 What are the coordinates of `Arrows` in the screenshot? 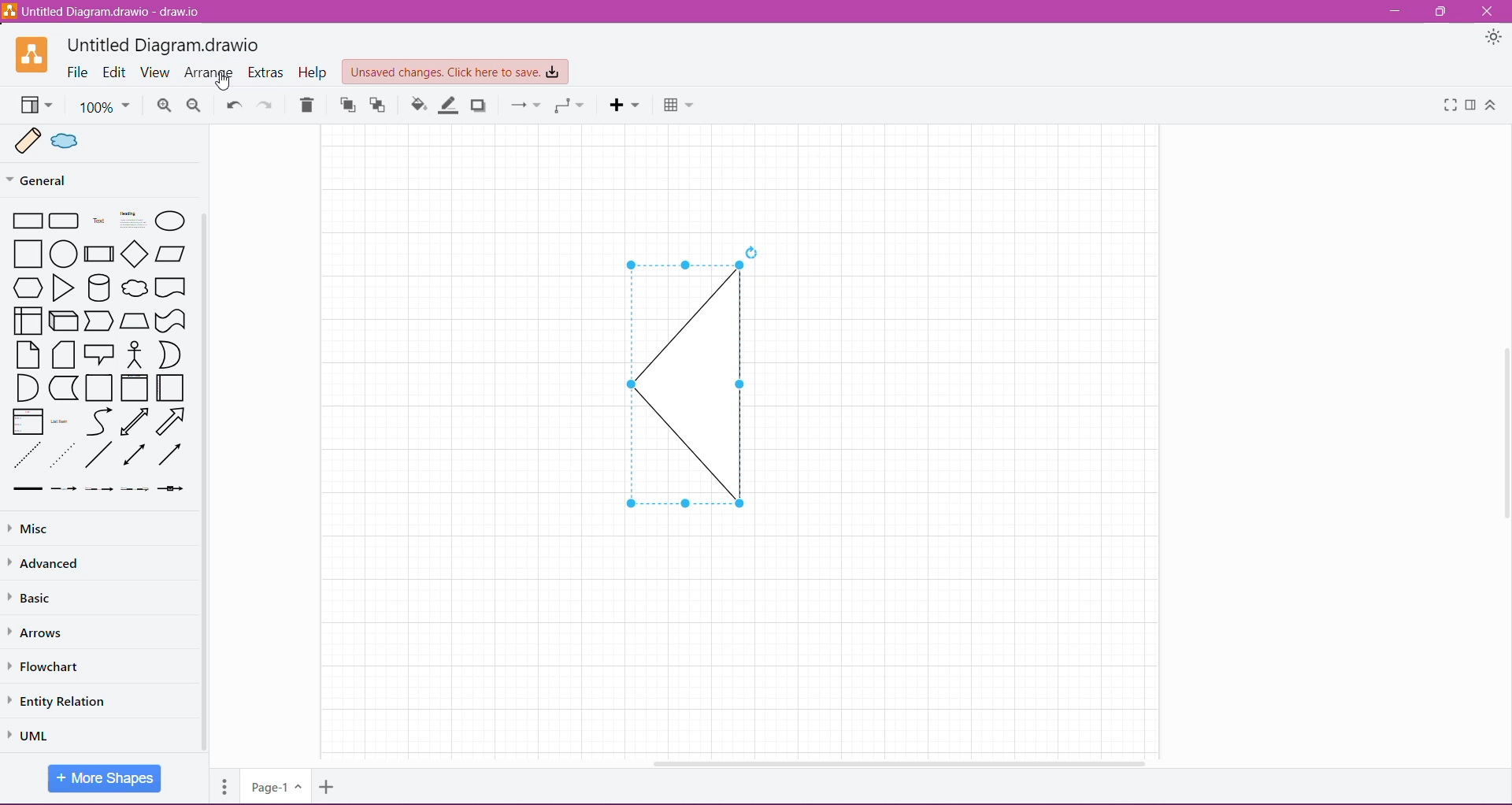 It's located at (43, 633).